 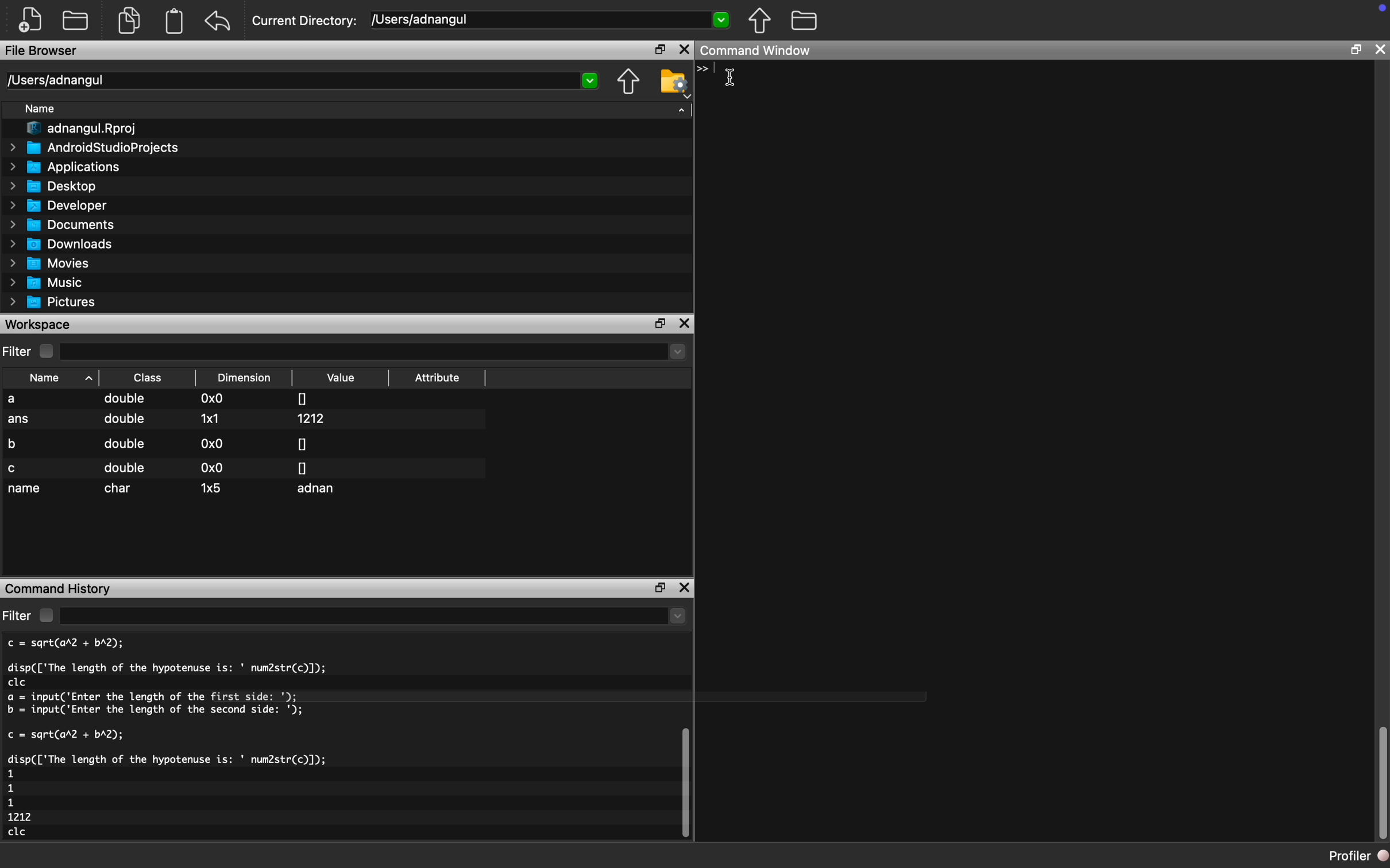 What do you see at coordinates (49, 351) in the screenshot?
I see `checkbox` at bounding box center [49, 351].